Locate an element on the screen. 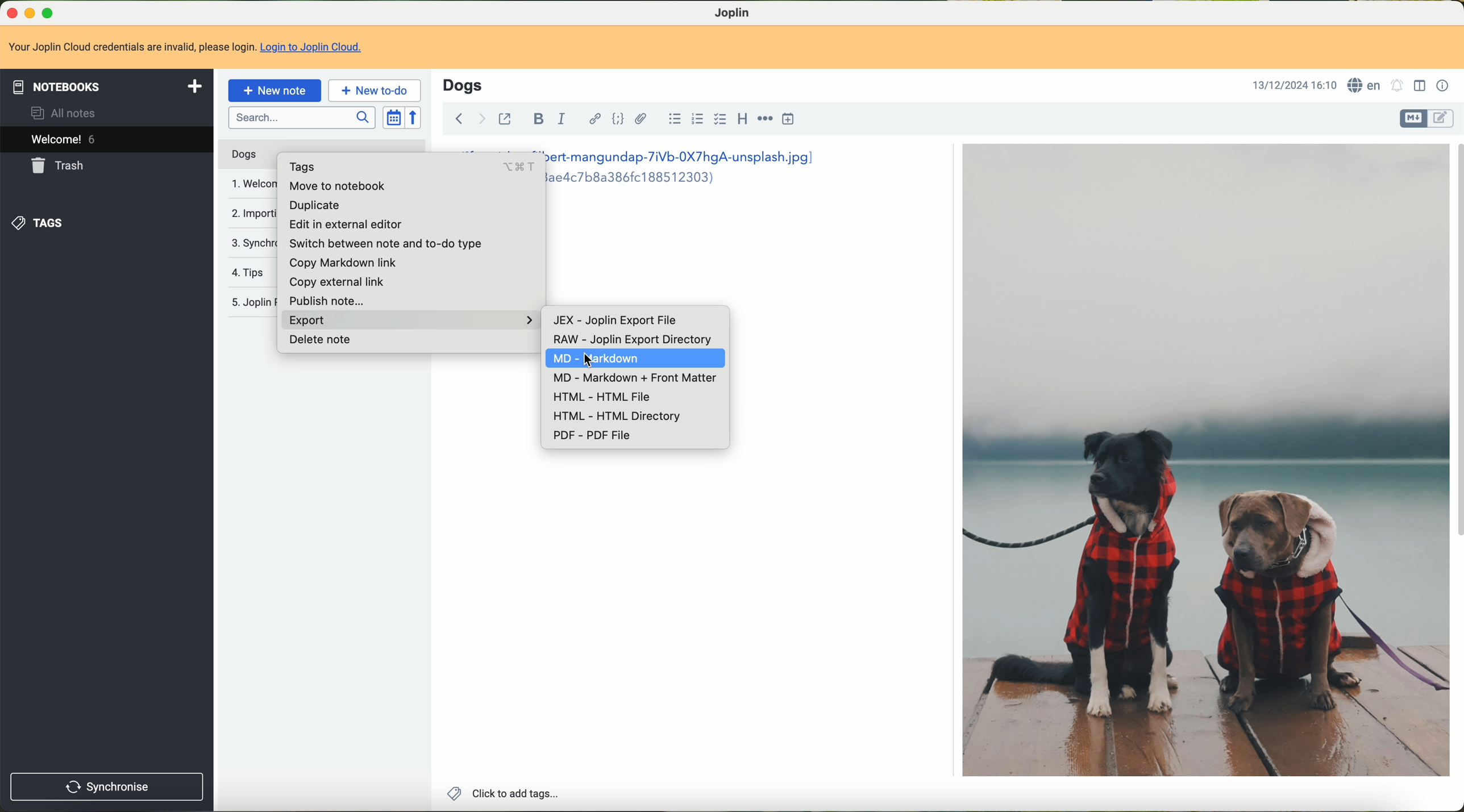  dogs image is located at coordinates (1204, 461).